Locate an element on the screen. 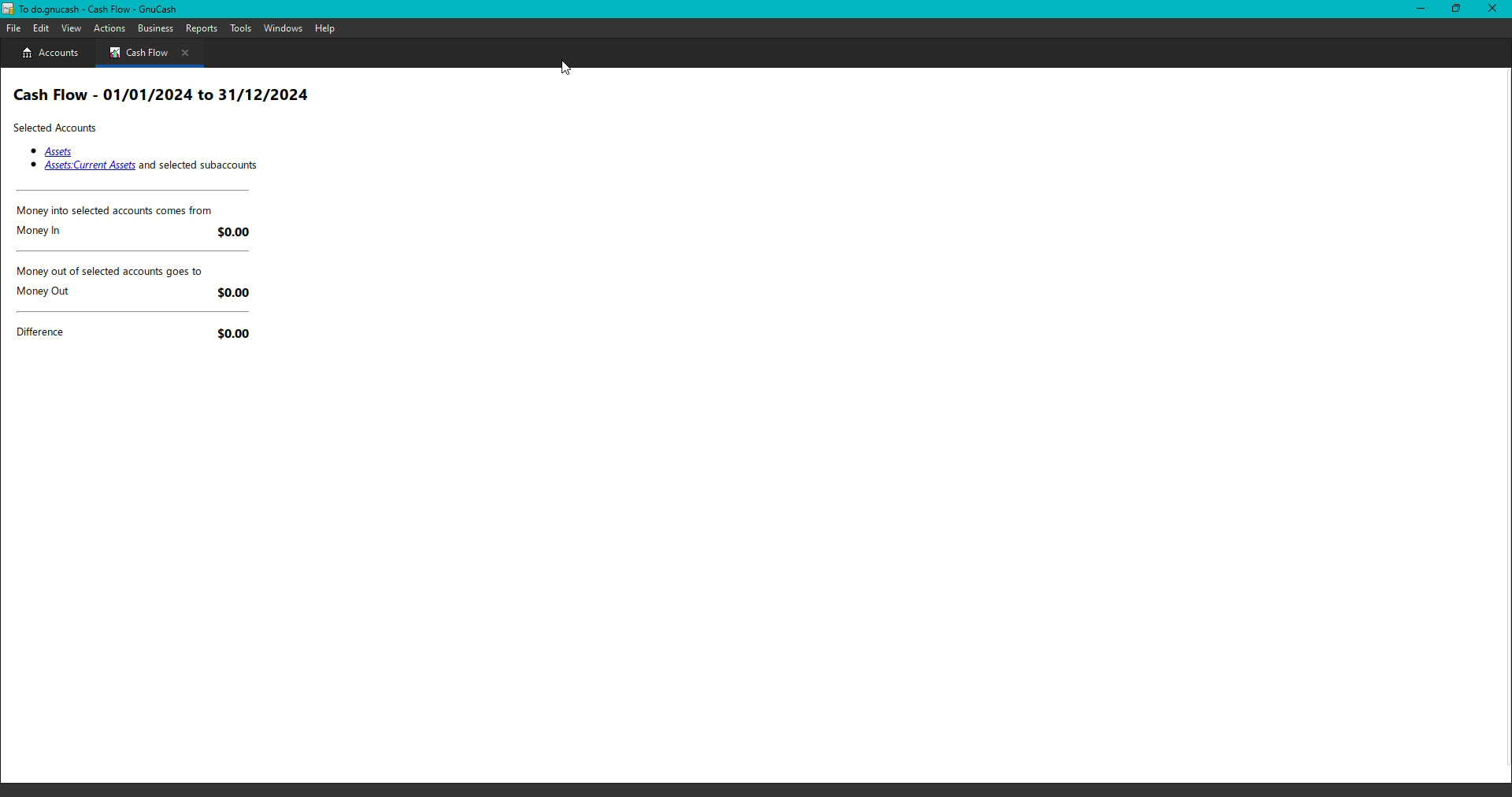 The width and height of the screenshot is (1512, 797). Business is located at coordinates (155, 27).